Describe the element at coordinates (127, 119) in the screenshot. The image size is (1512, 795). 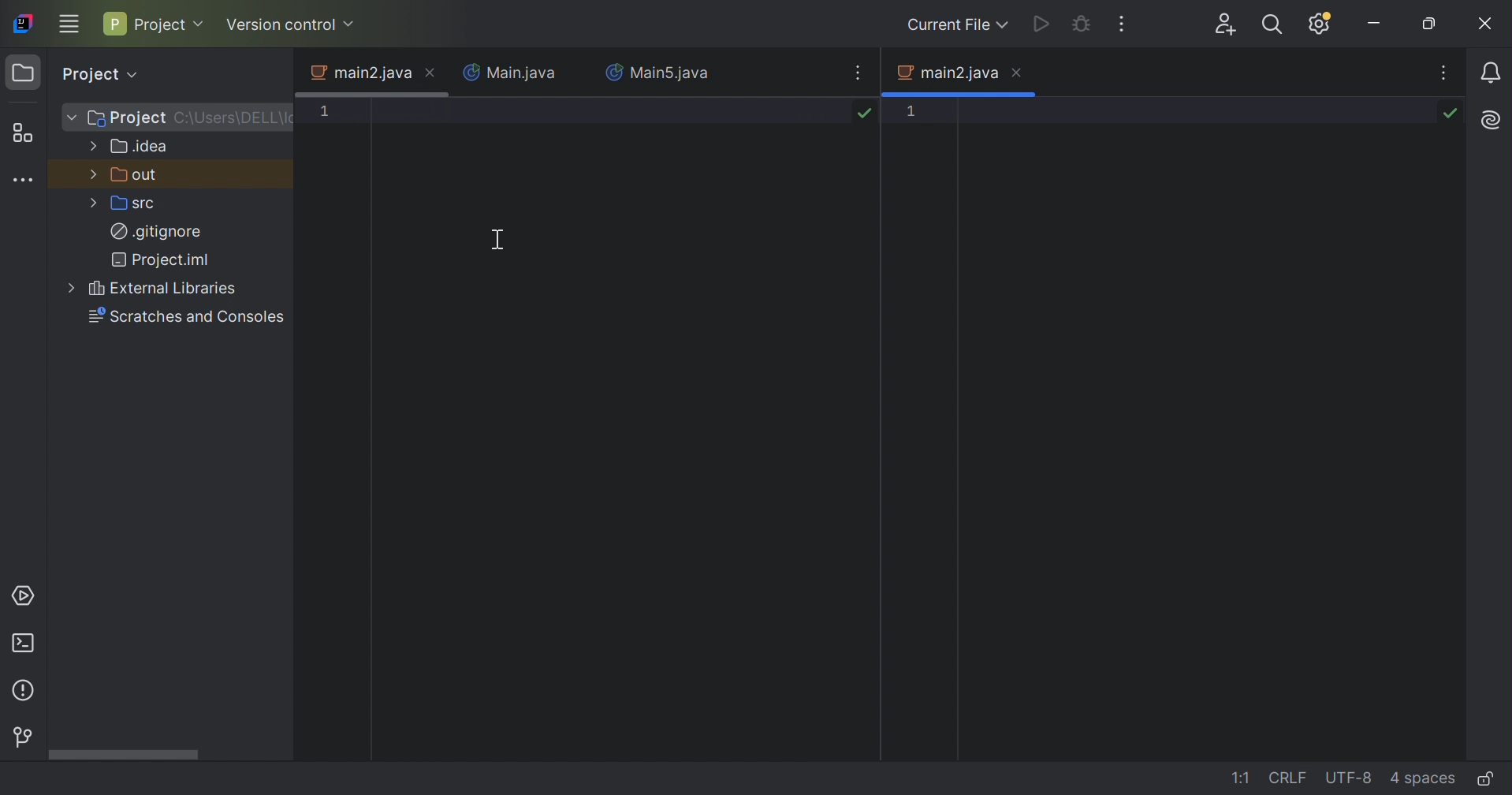
I see `Project` at that location.